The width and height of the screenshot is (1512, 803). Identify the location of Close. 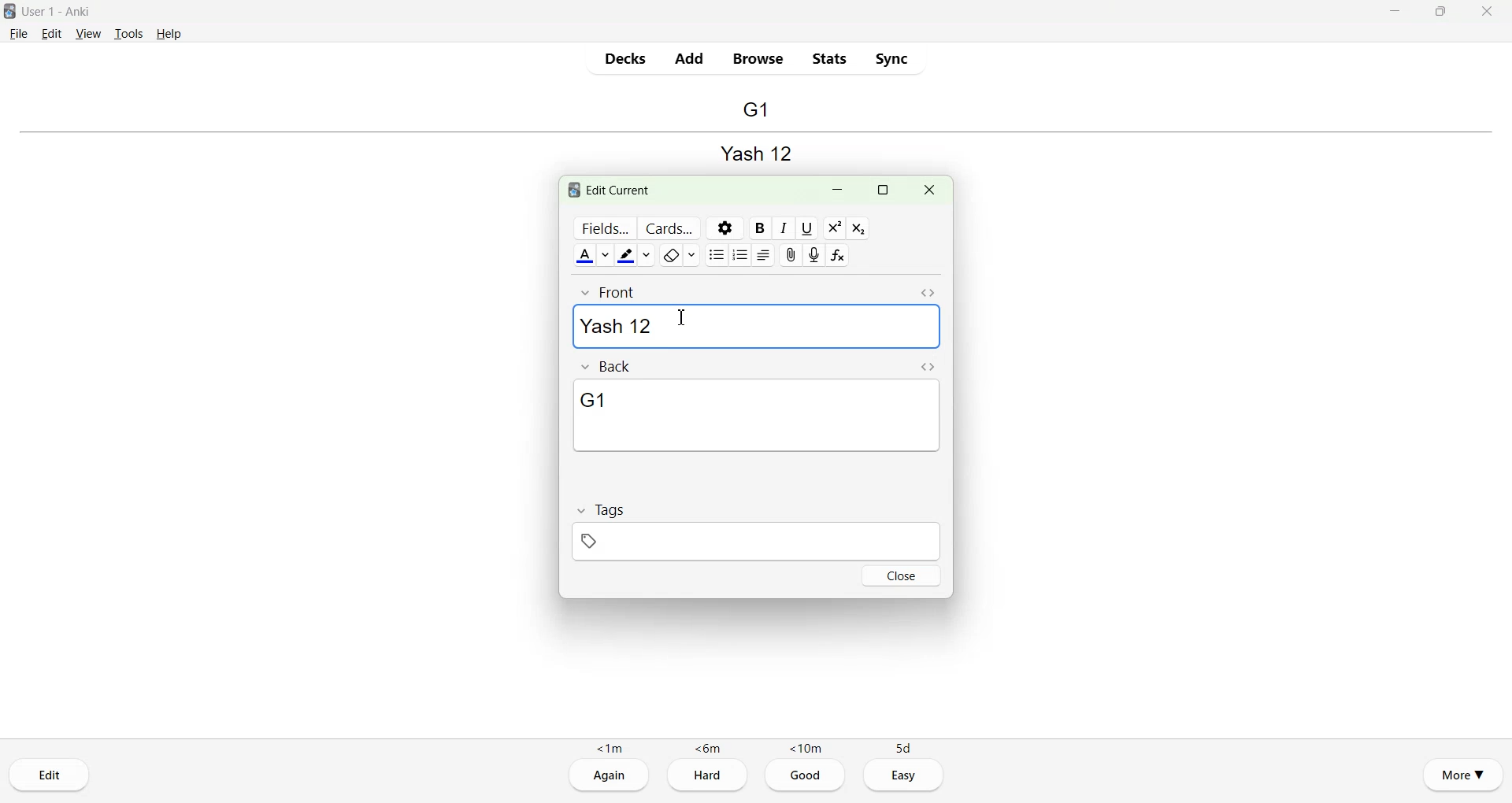
(1486, 11).